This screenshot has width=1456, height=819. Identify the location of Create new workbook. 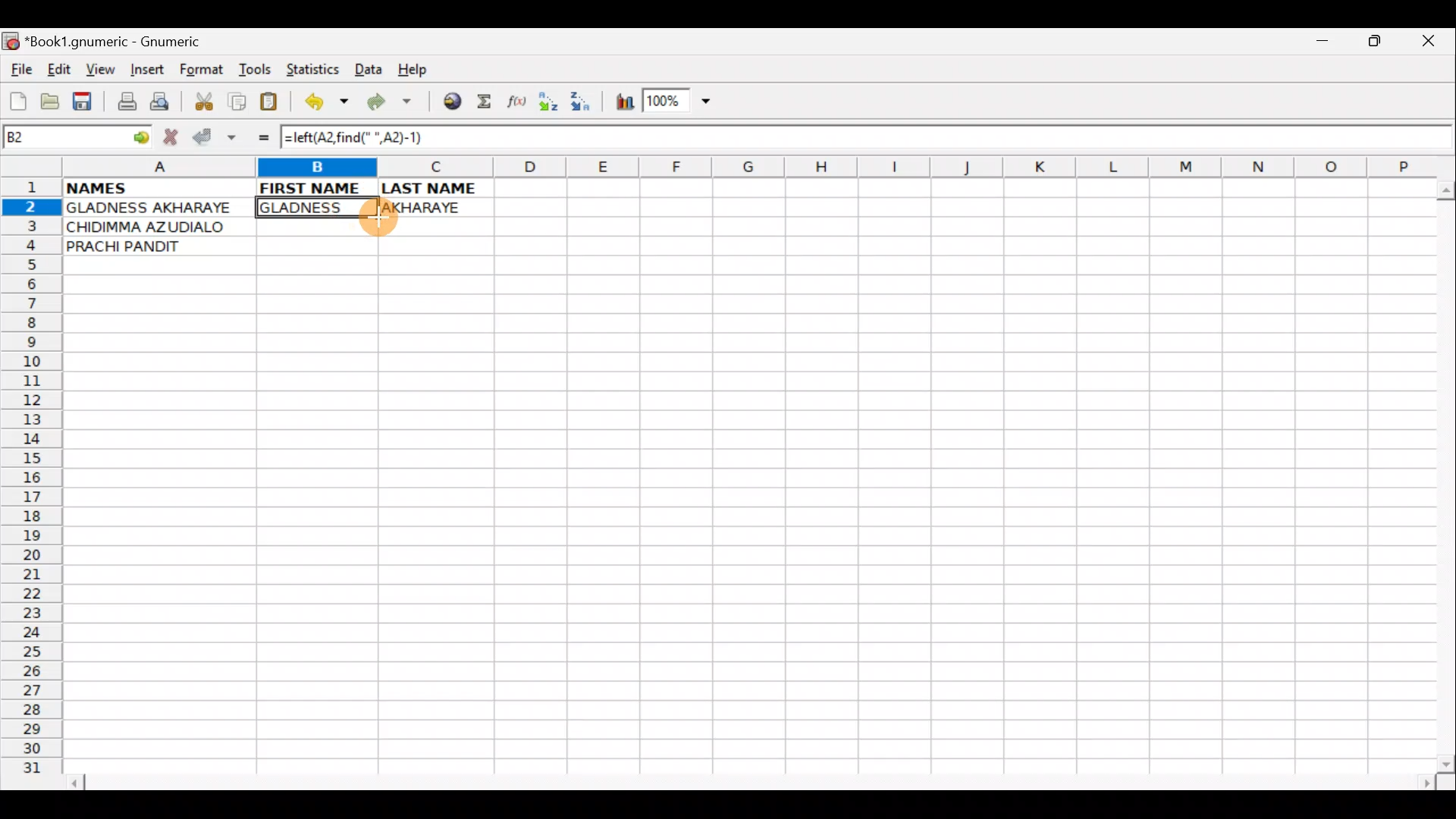
(17, 99).